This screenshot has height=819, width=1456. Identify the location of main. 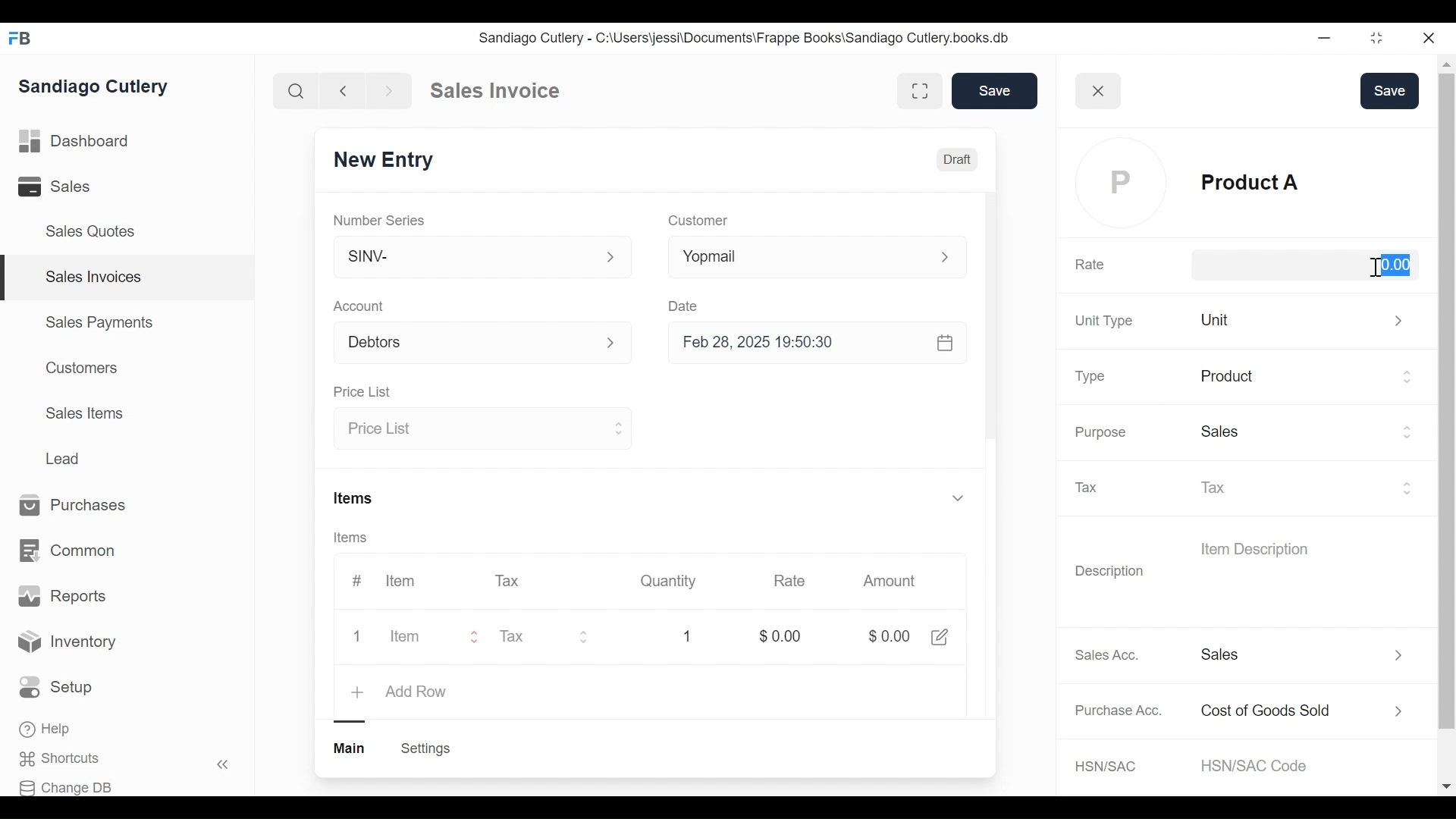
(351, 748).